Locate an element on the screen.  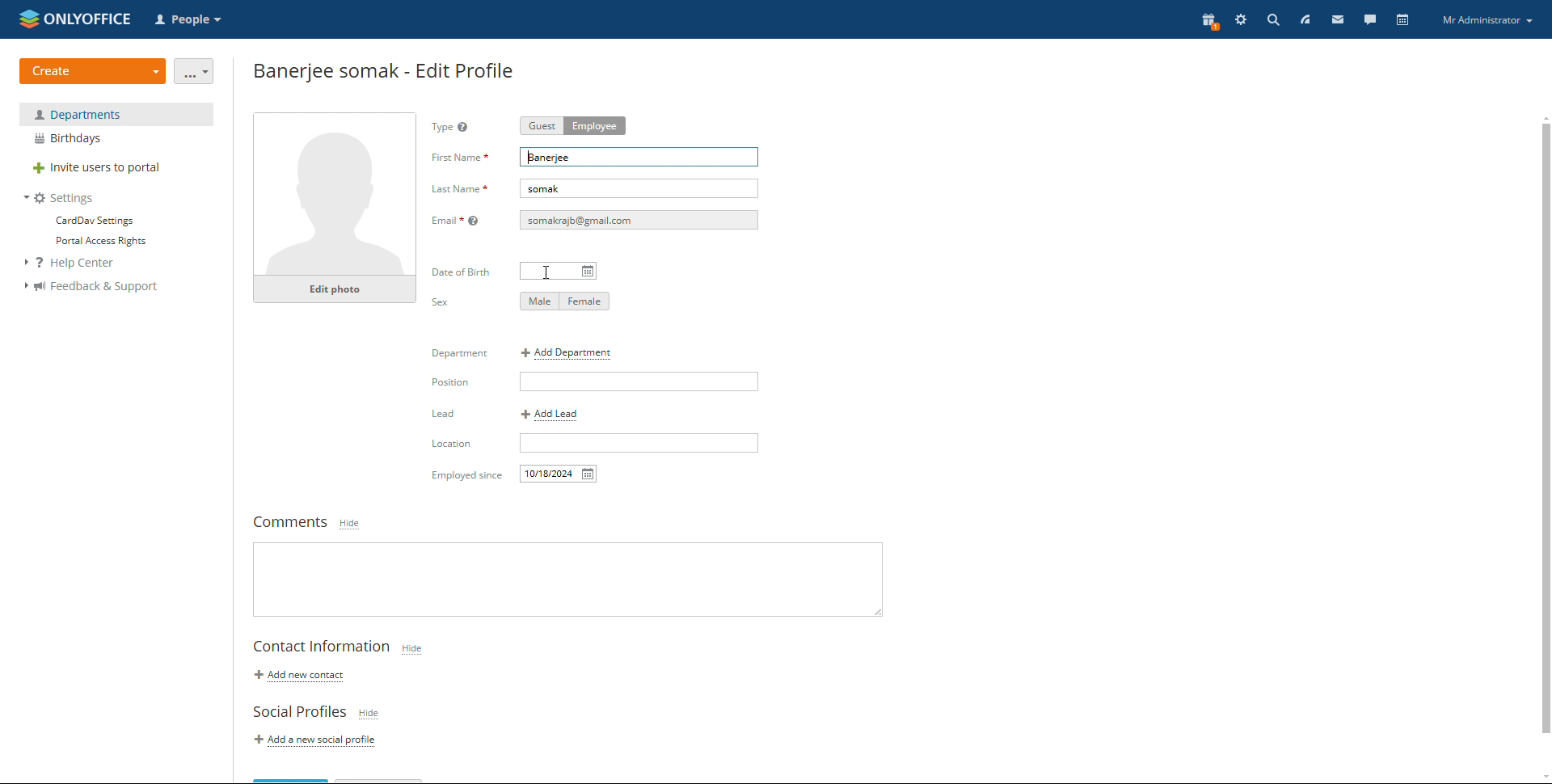
feedback and support is located at coordinates (91, 287).